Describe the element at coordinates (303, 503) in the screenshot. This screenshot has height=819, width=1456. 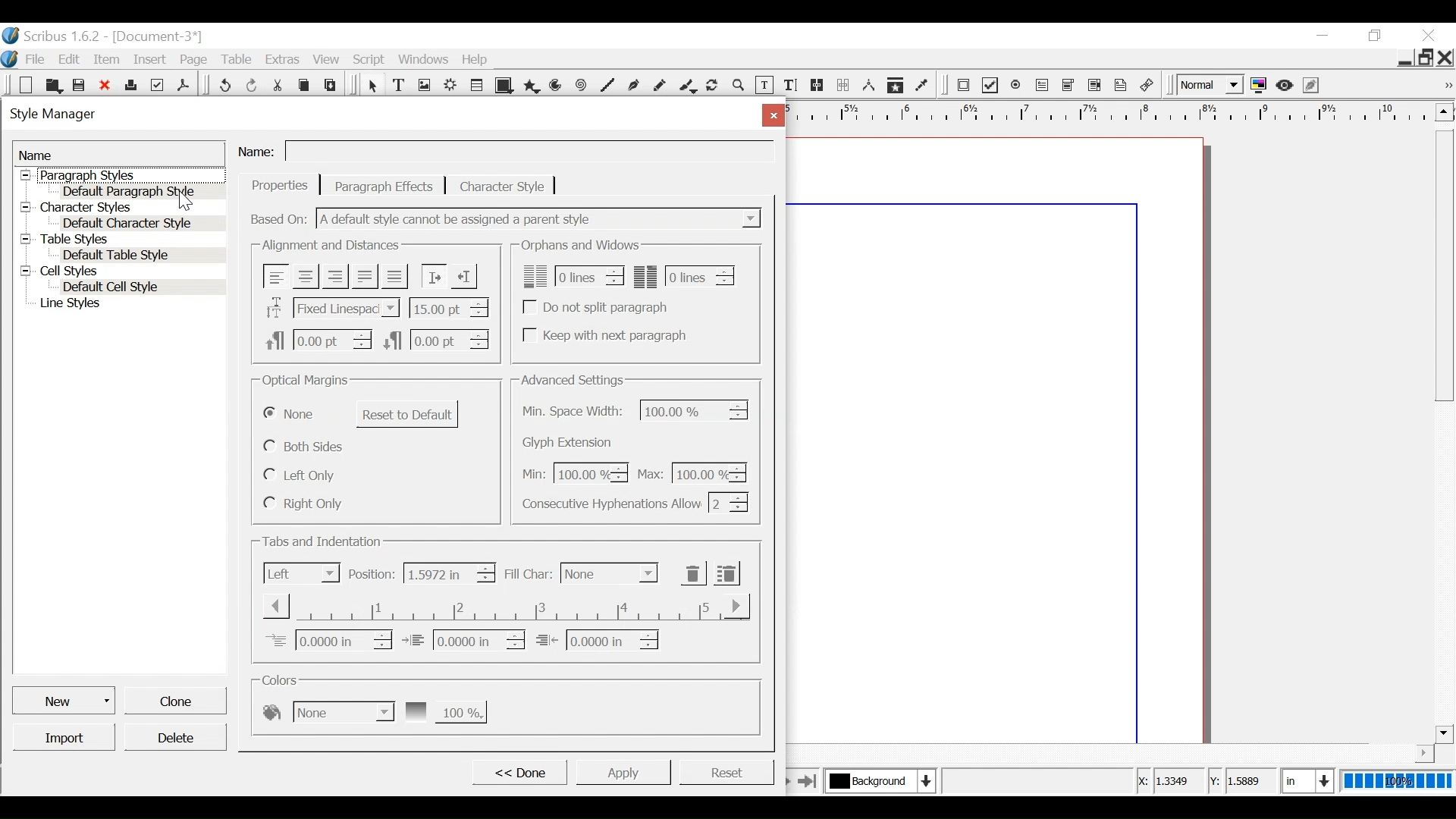
I see `(un)select Right only` at that location.